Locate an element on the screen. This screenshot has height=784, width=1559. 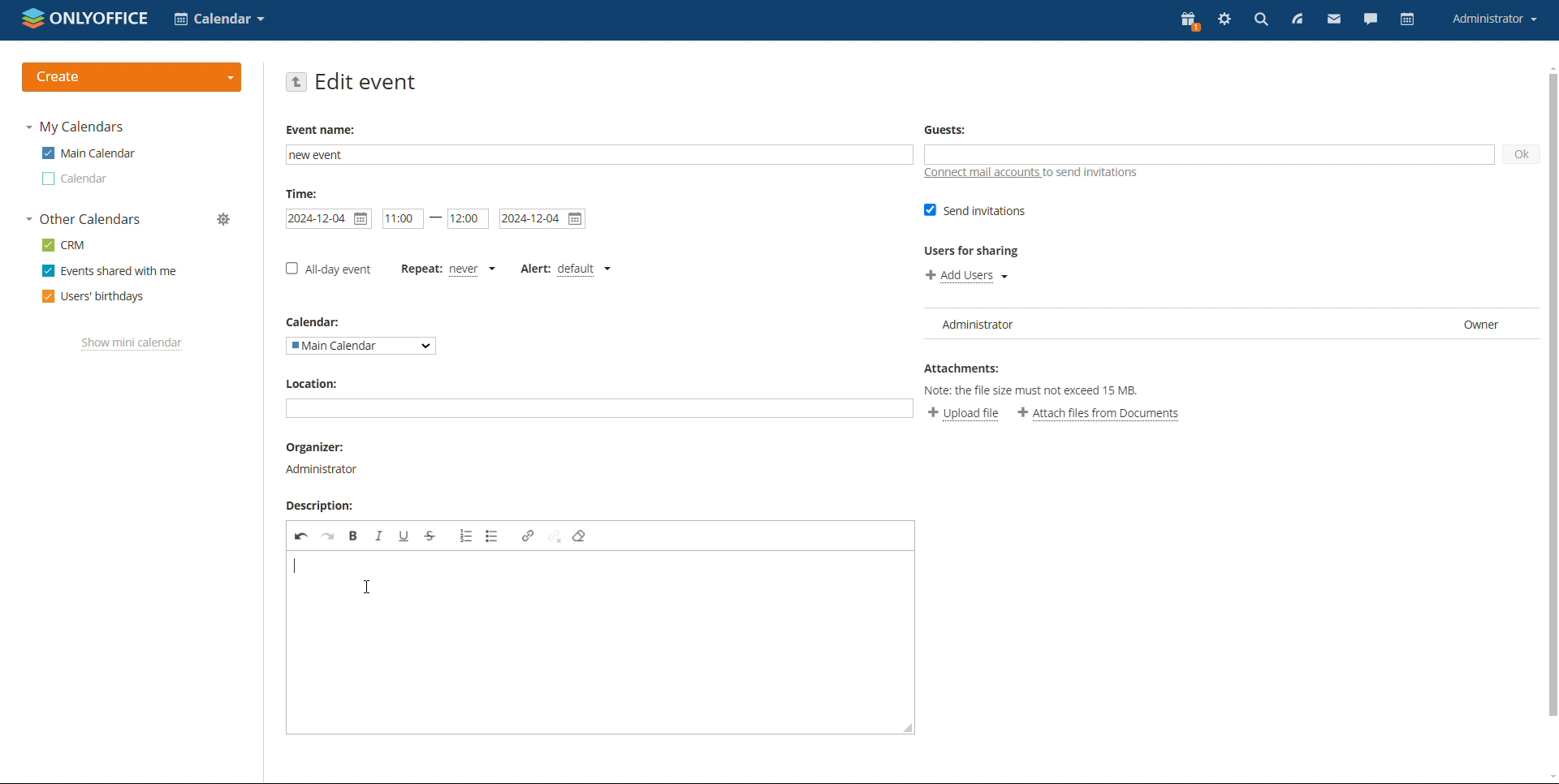
end time is located at coordinates (469, 218).